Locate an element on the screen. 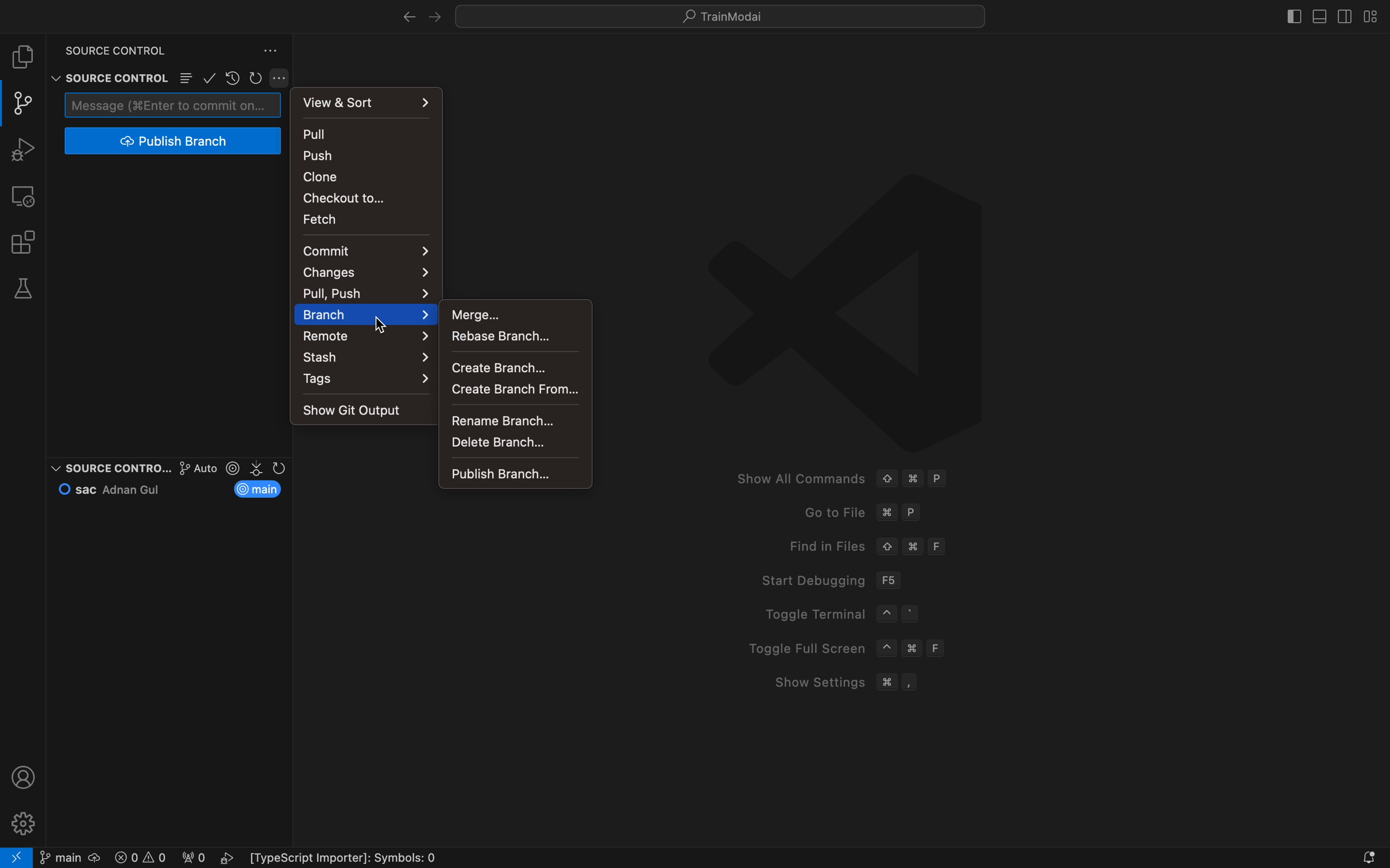 The image size is (1390, 868). debug is located at coordinates (27, 149).